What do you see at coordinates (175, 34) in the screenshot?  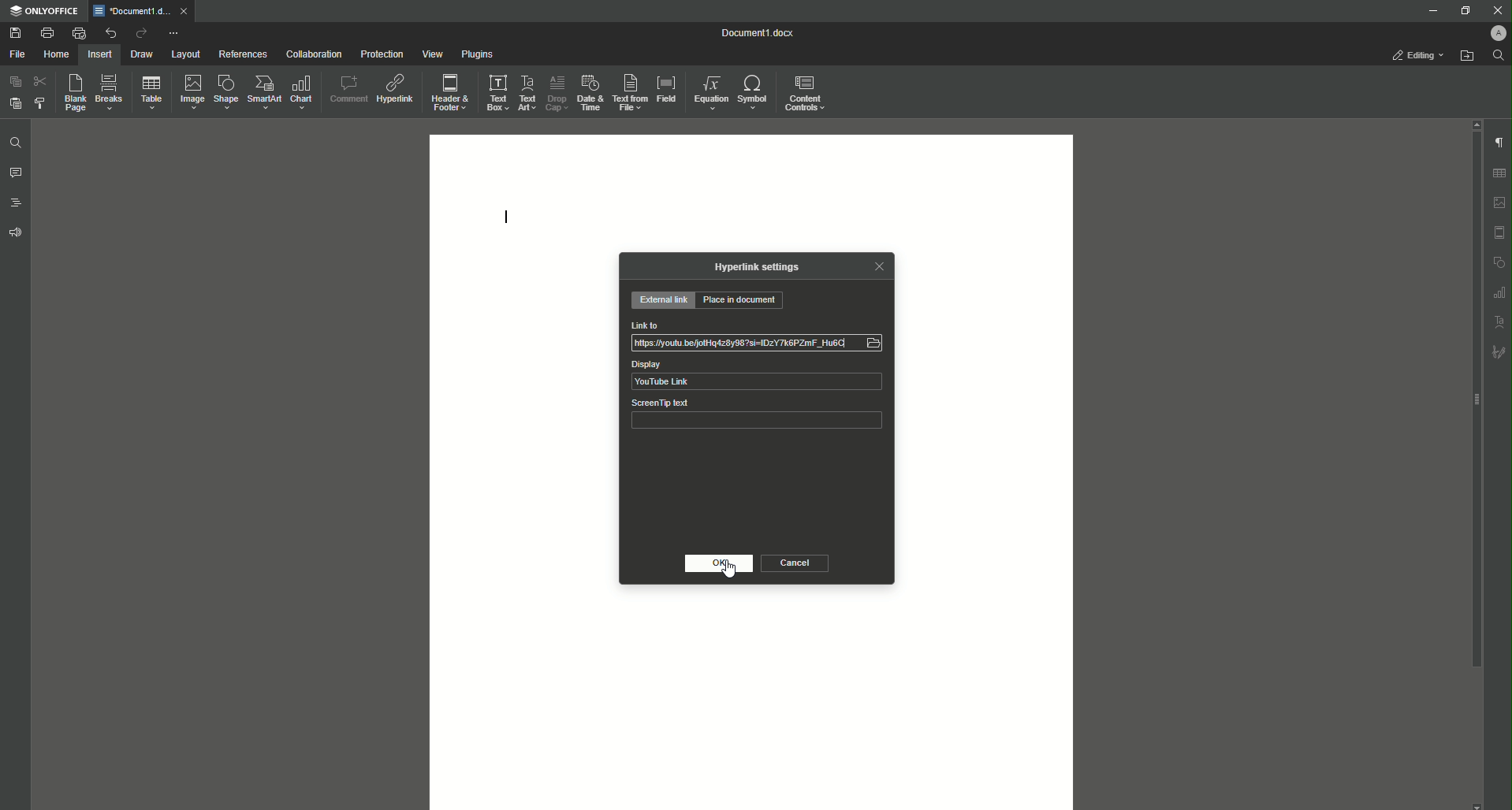 I see `More Options` at bounding box center [175, 34].